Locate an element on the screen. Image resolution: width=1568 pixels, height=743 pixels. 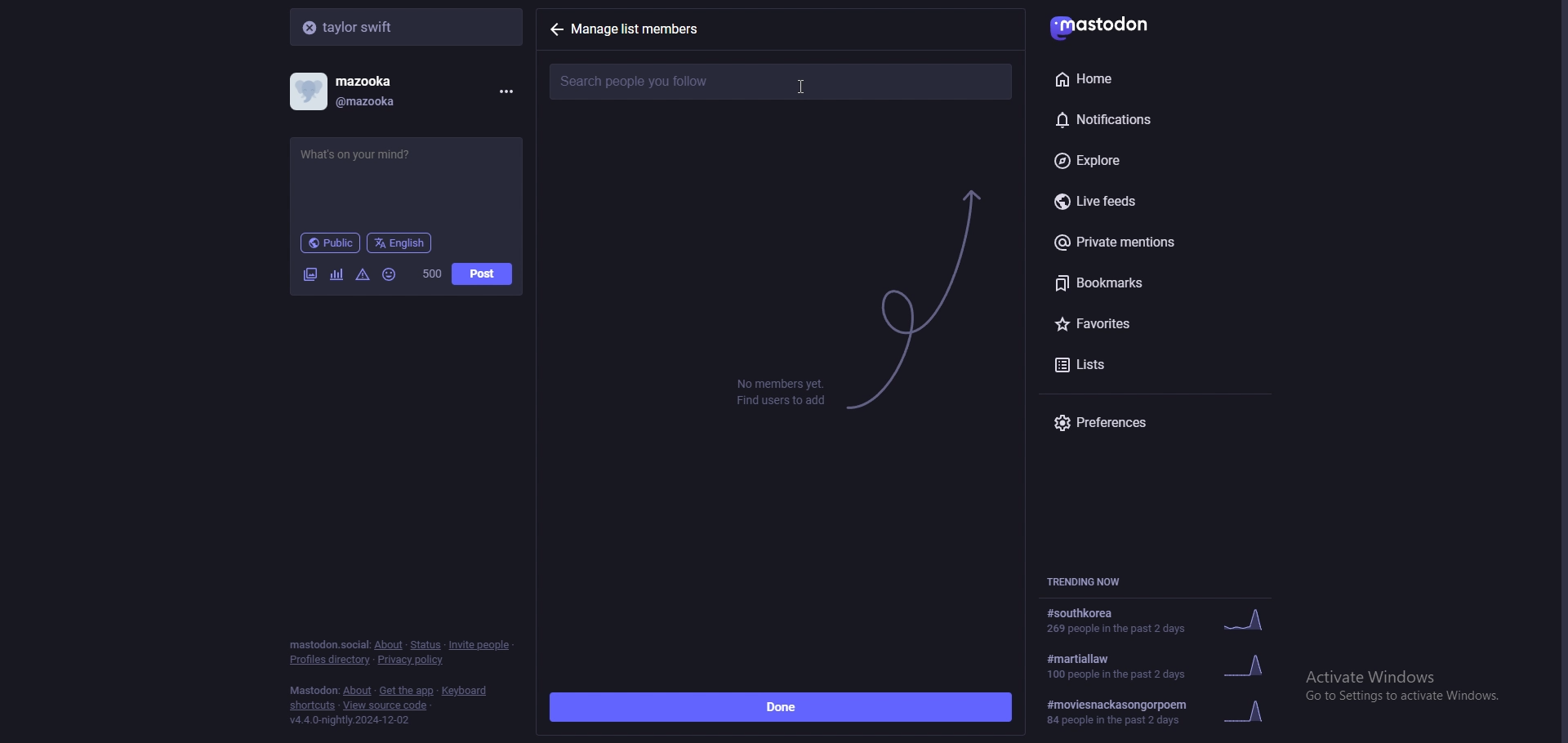
invite people is located at coordinates (480, 644).